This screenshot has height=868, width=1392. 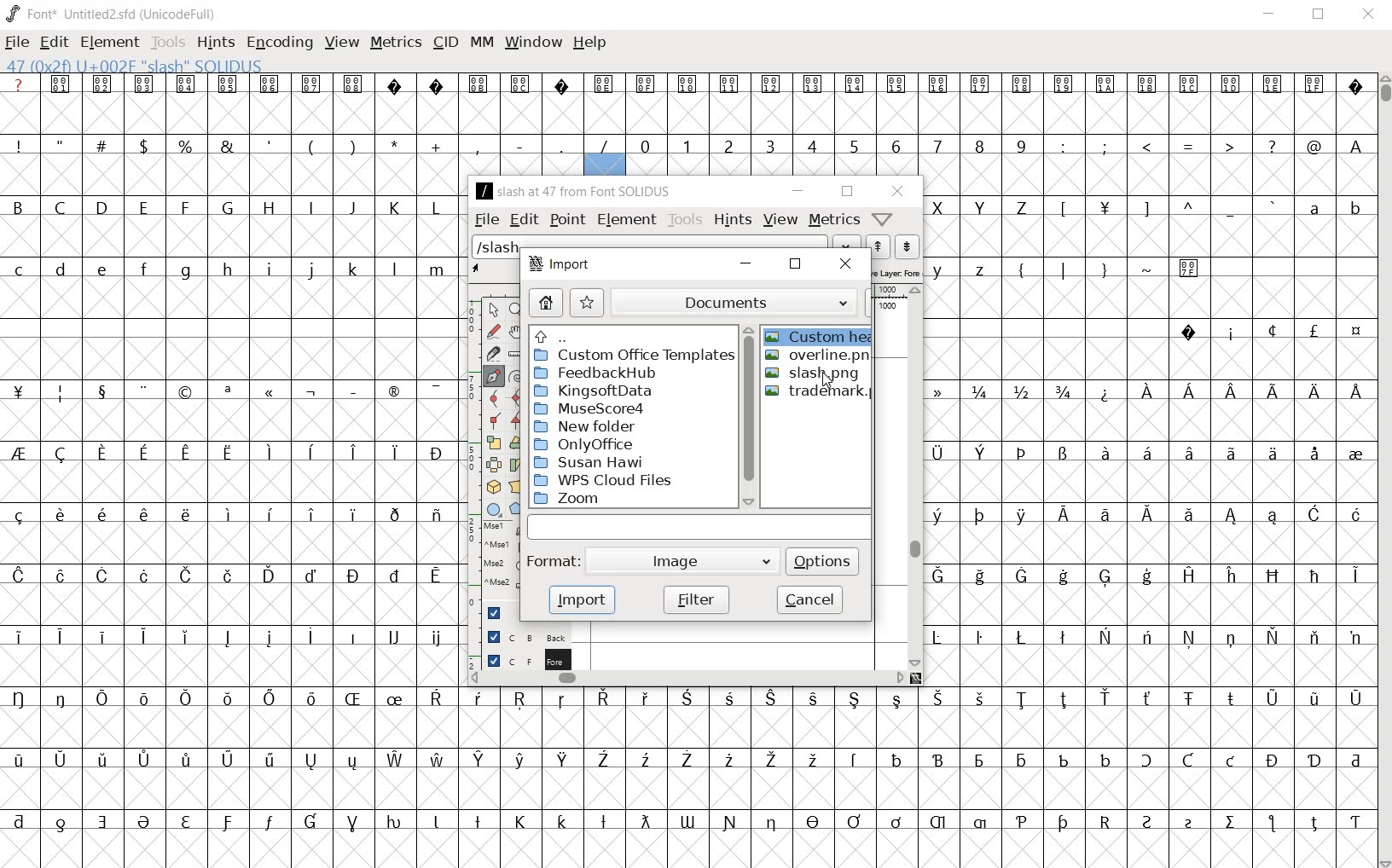 What do you see at coordinates (1189, 146) in the screenshot?
I see `symbols` at bounding box center [1189, 146].